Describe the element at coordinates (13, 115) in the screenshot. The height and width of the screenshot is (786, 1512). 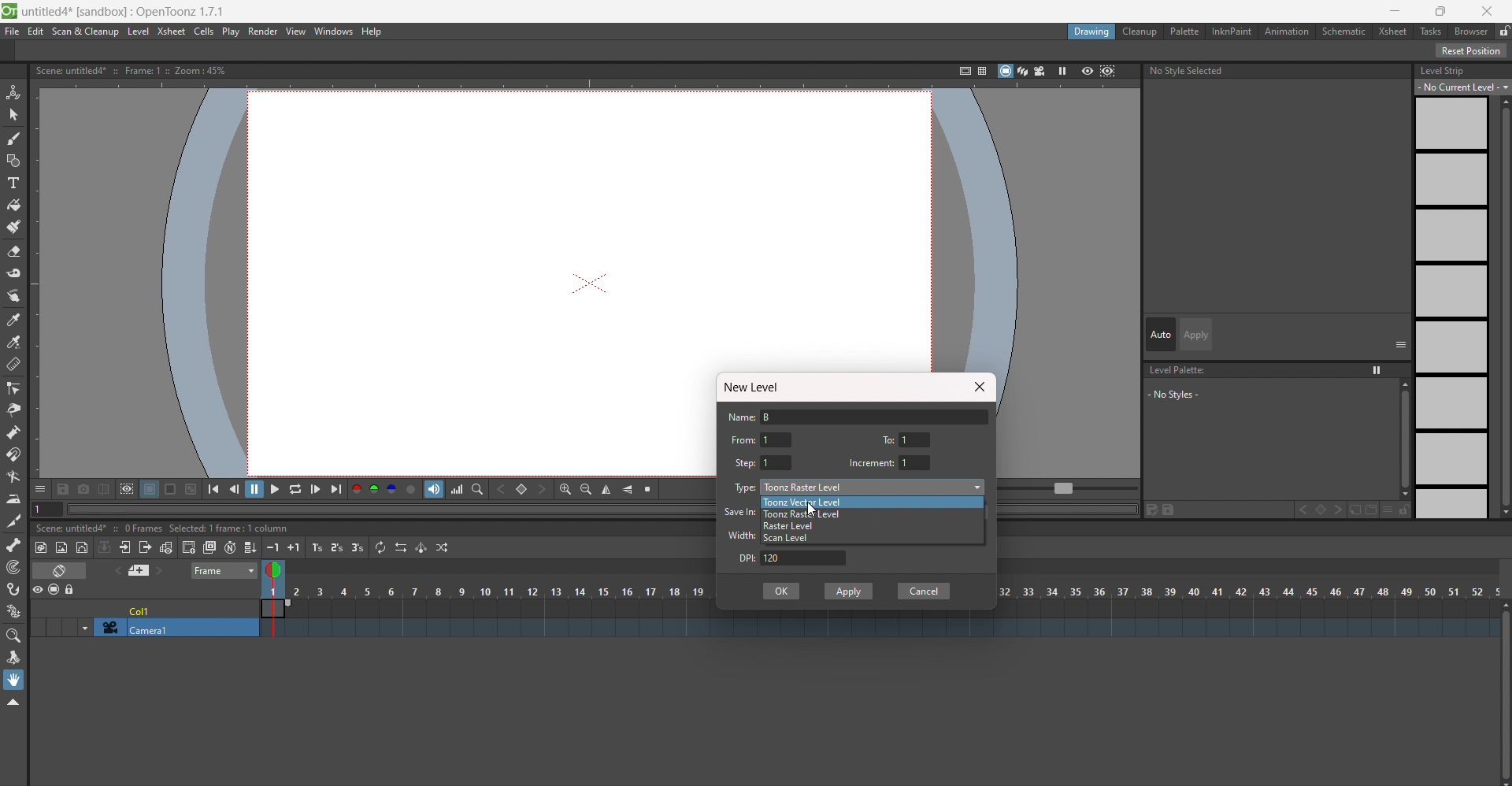
I see `selection tool ` at that location.